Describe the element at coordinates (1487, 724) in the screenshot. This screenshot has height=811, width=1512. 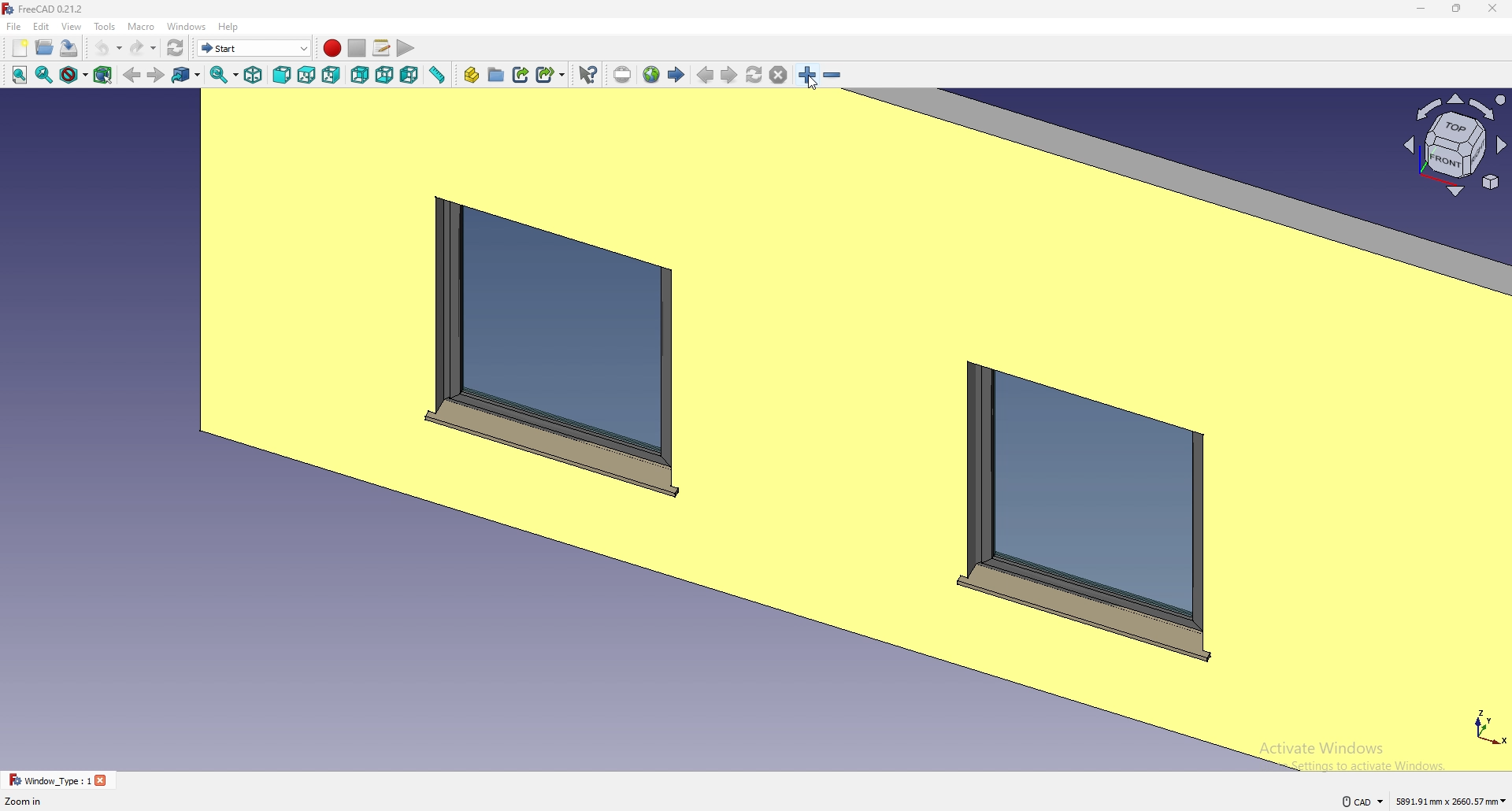
I see `axis` at that location.